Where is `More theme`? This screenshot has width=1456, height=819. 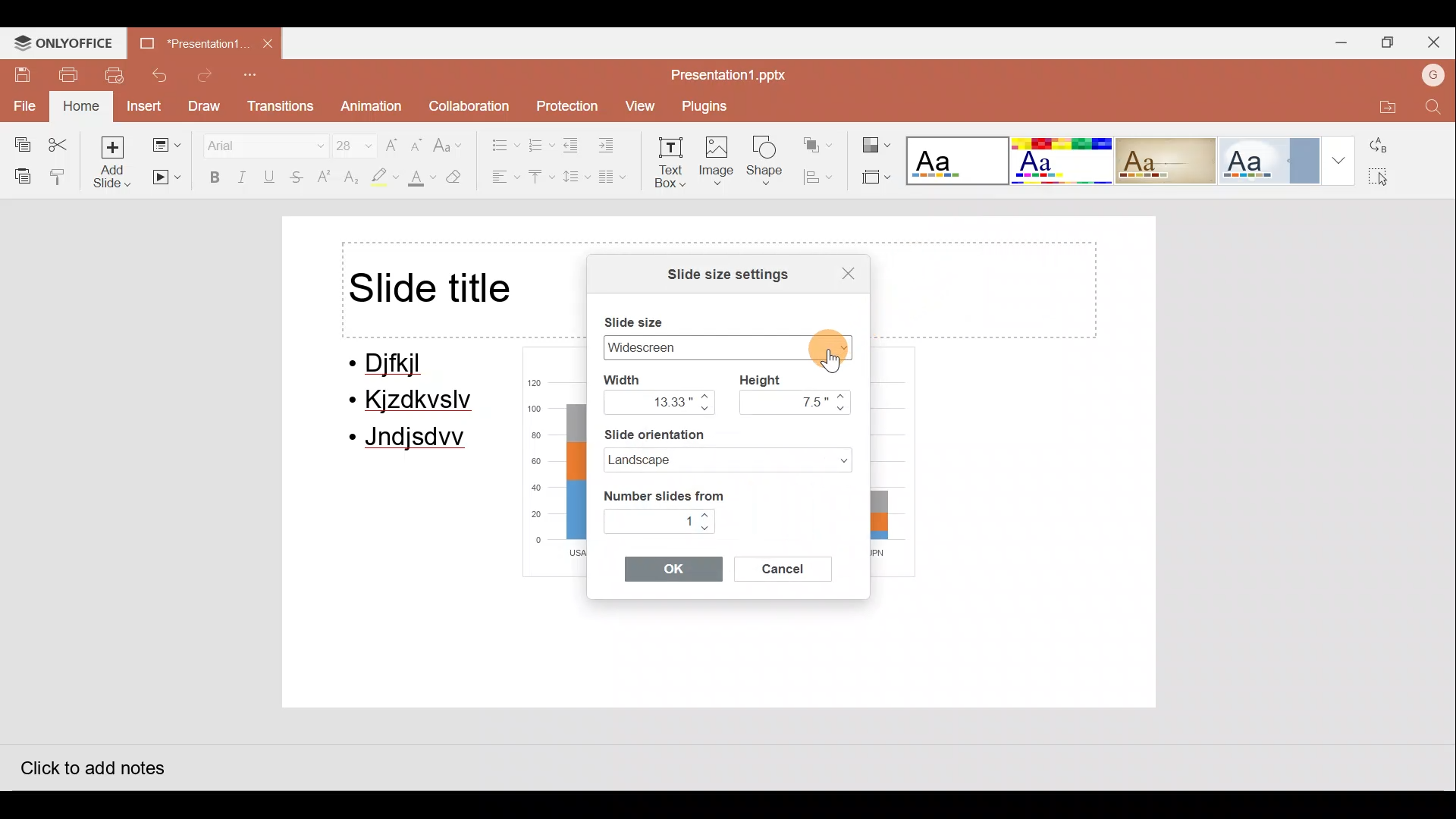 More theme is located at coordinates (1339, 159).